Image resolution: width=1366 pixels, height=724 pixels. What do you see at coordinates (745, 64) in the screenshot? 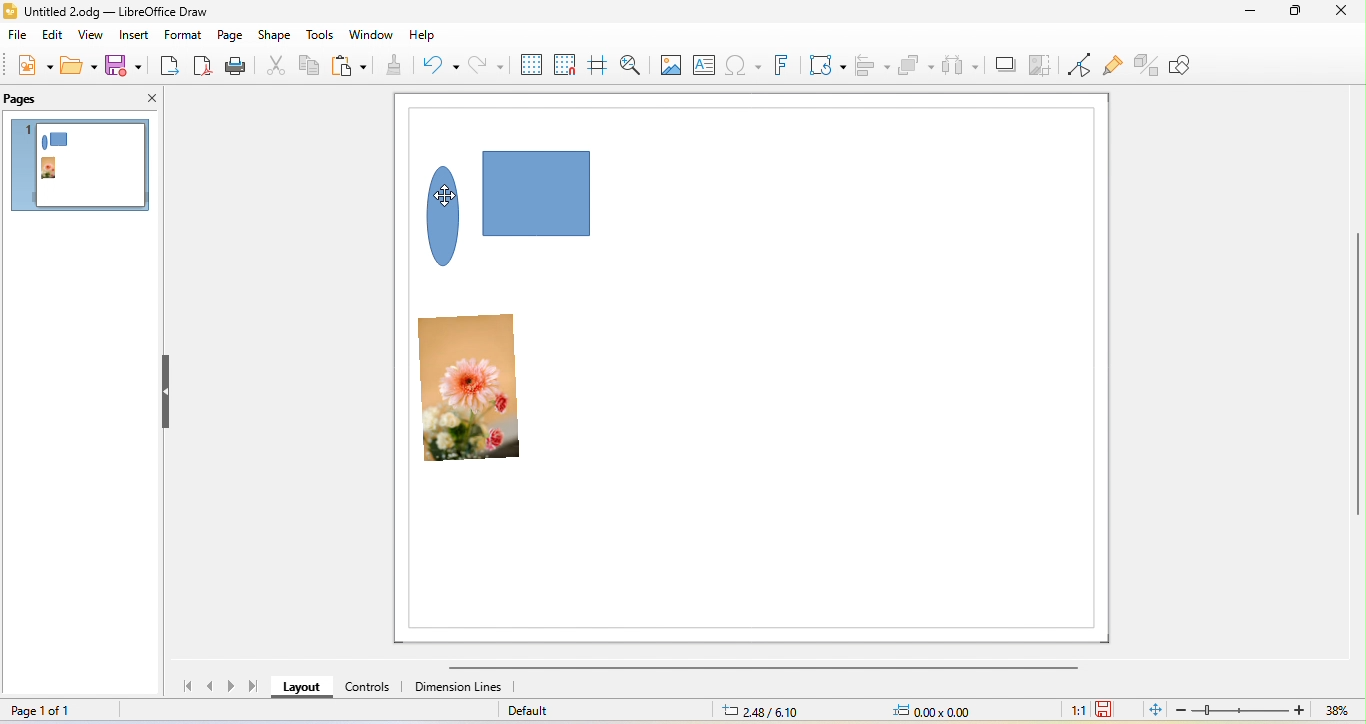
I see `special character` at bounding box center [745, 64].